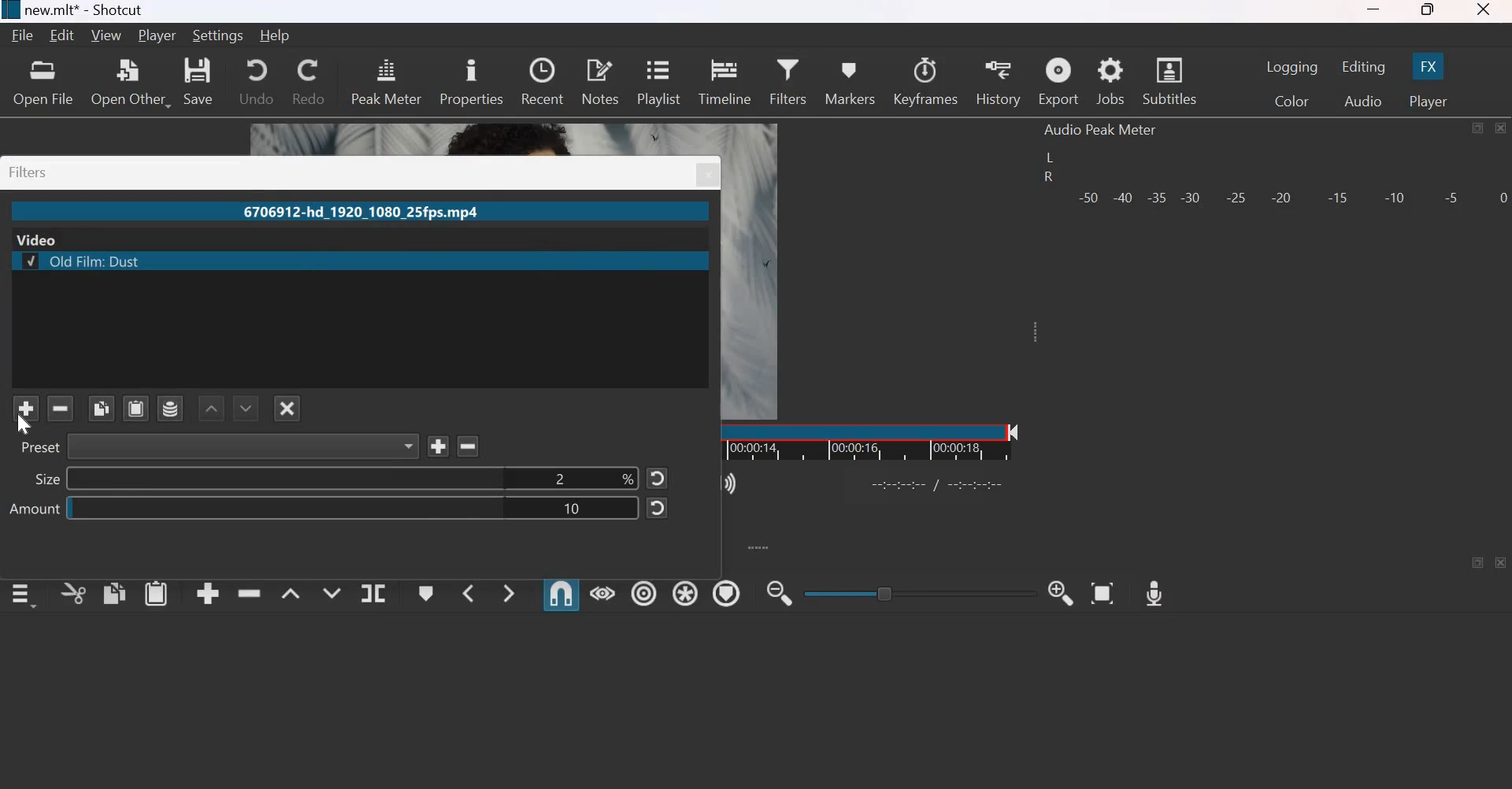  Describe the element at coordinates (658, 509) in the screenshot. I see `reset to default` at that location.